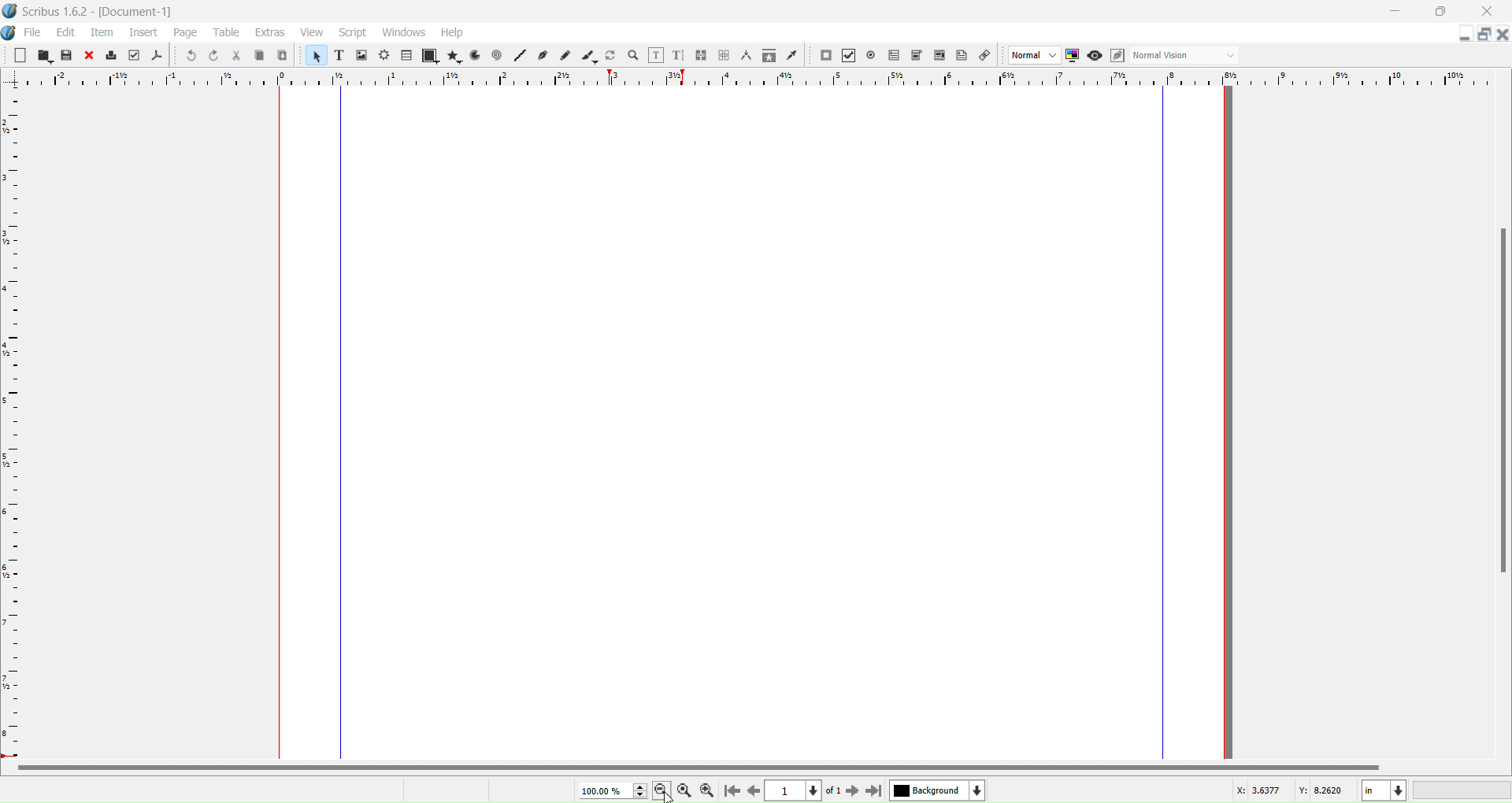 The width and height of the screenshot is (1512, 803). I want to click on Spiral, so click(497, 56).